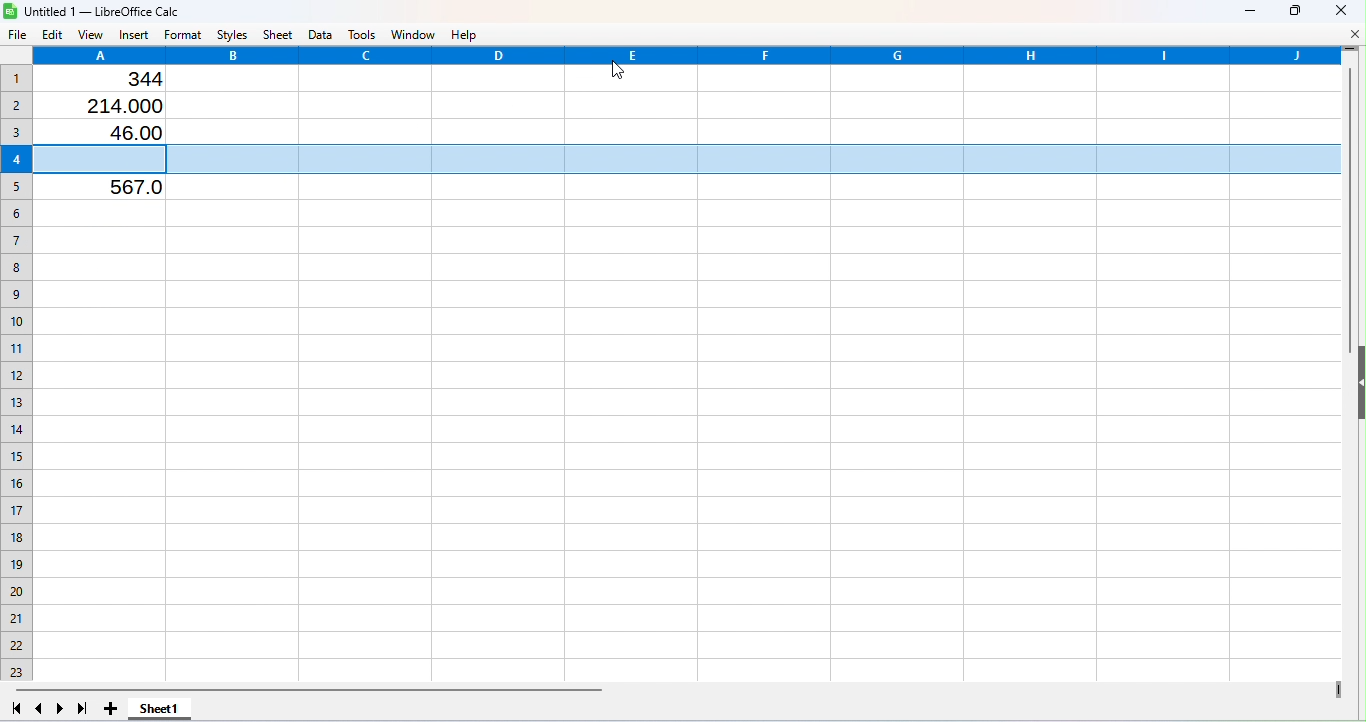 The image size is (1366, 722). What do you see at coordinates (110, 708) in the screenshot?
I see `Add a new sheet` at bounding box center [110, 708].